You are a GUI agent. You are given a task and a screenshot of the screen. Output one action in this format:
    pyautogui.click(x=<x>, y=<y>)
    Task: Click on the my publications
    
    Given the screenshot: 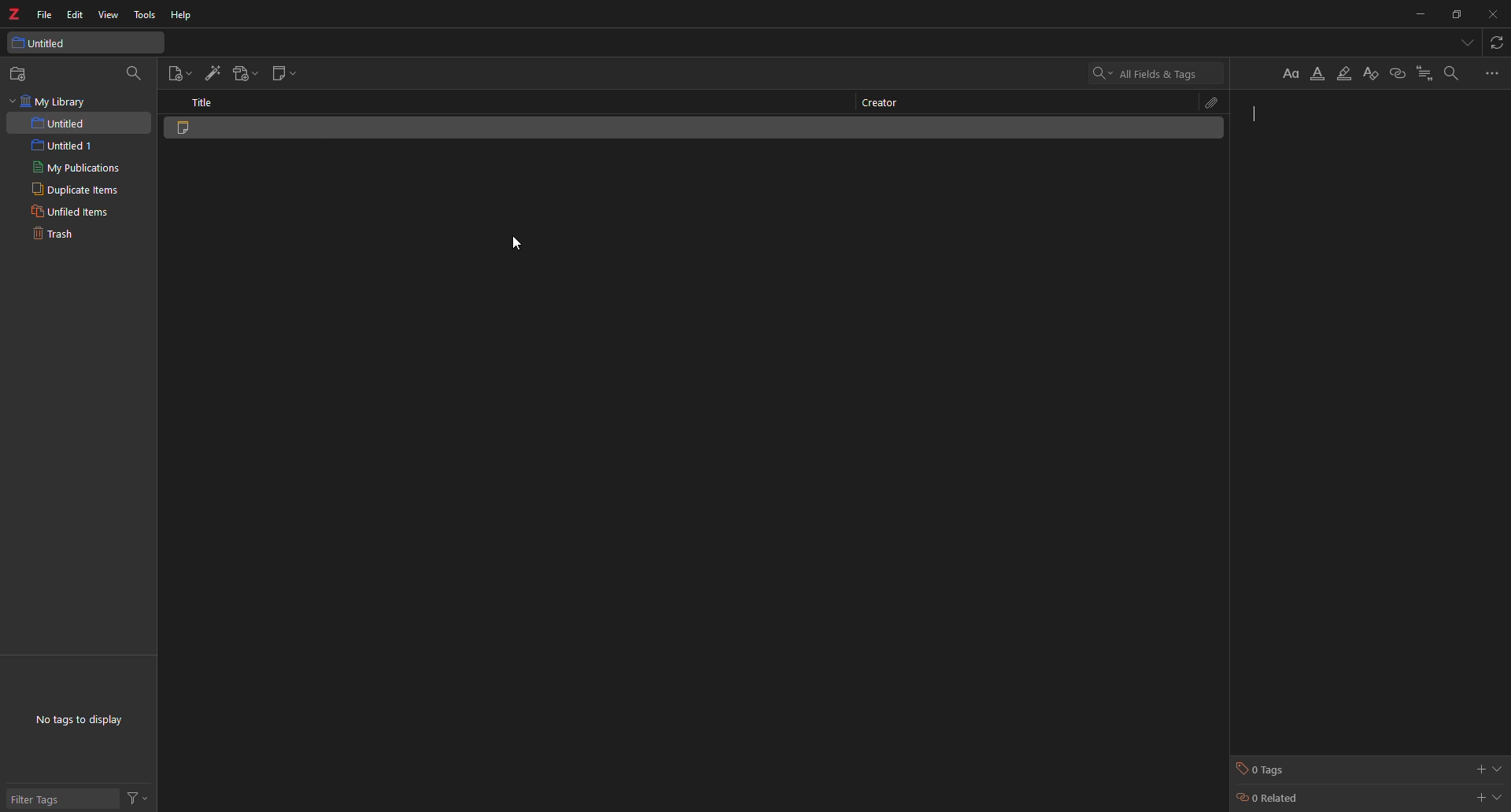 What is the action you would take?
    pyautogui.click(x=76, y=168)
    